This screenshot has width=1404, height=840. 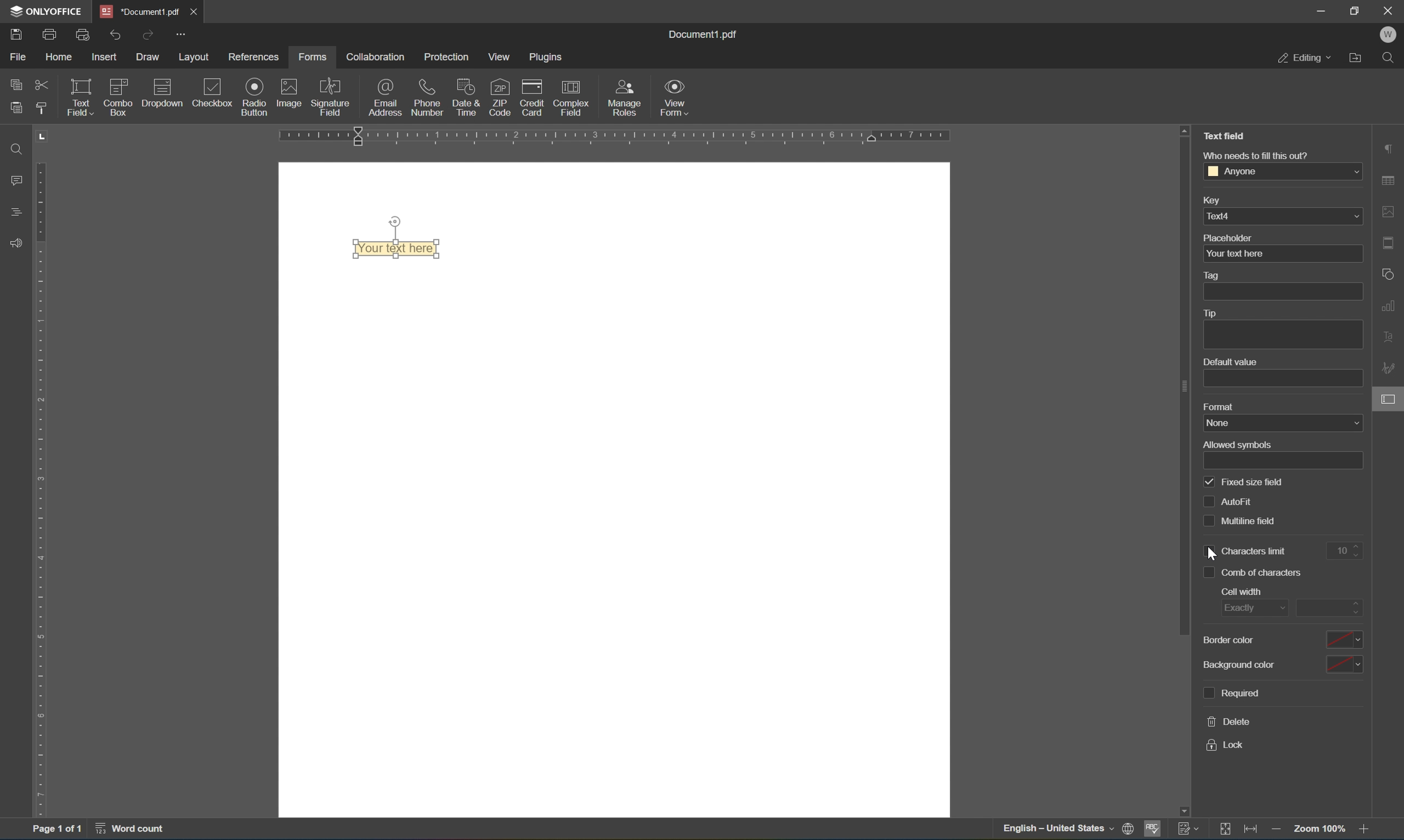 I want to click on Page 1 of 1, so click(x=58, y=830).